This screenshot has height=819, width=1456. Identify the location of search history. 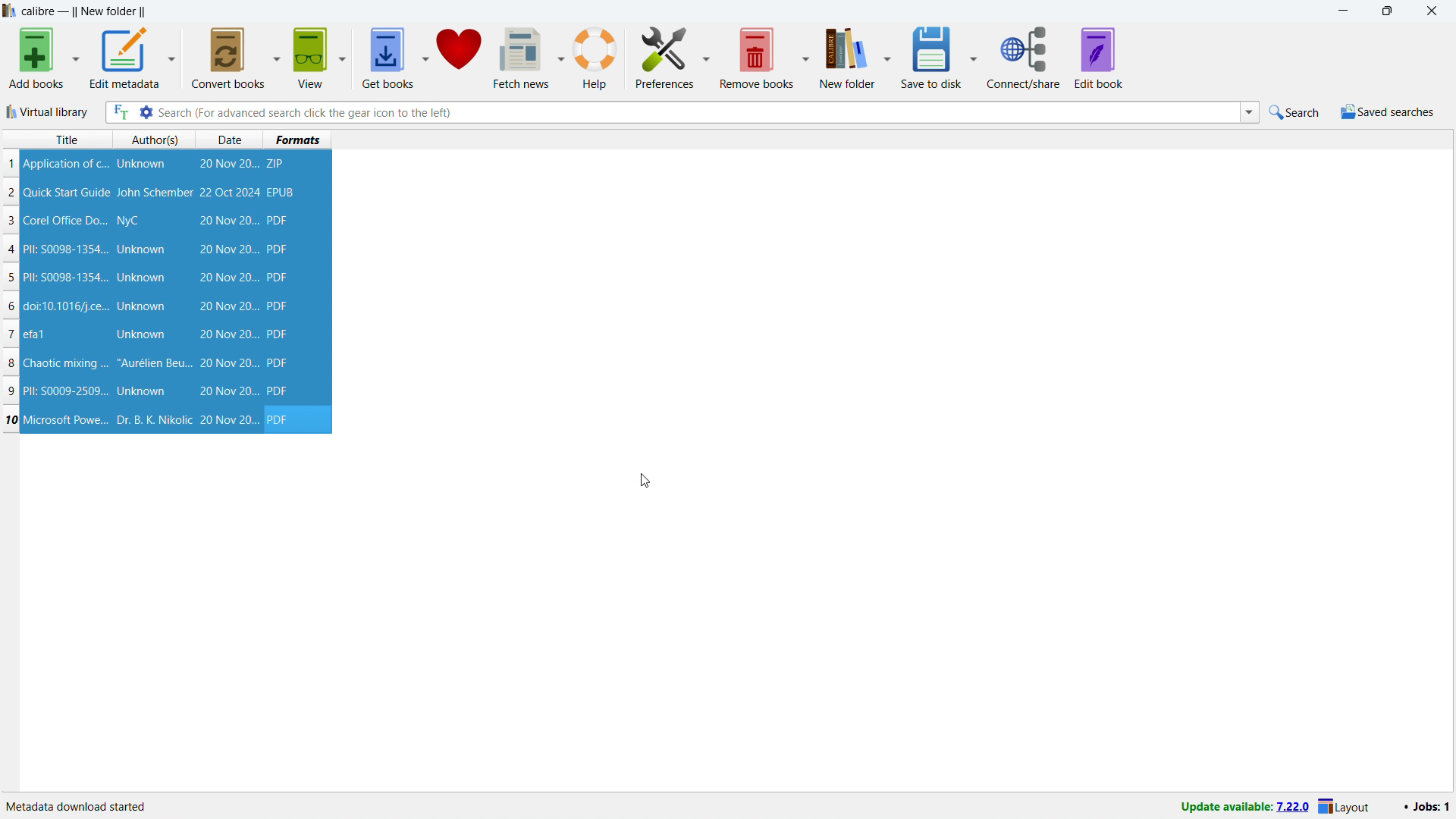
(1249, 113).